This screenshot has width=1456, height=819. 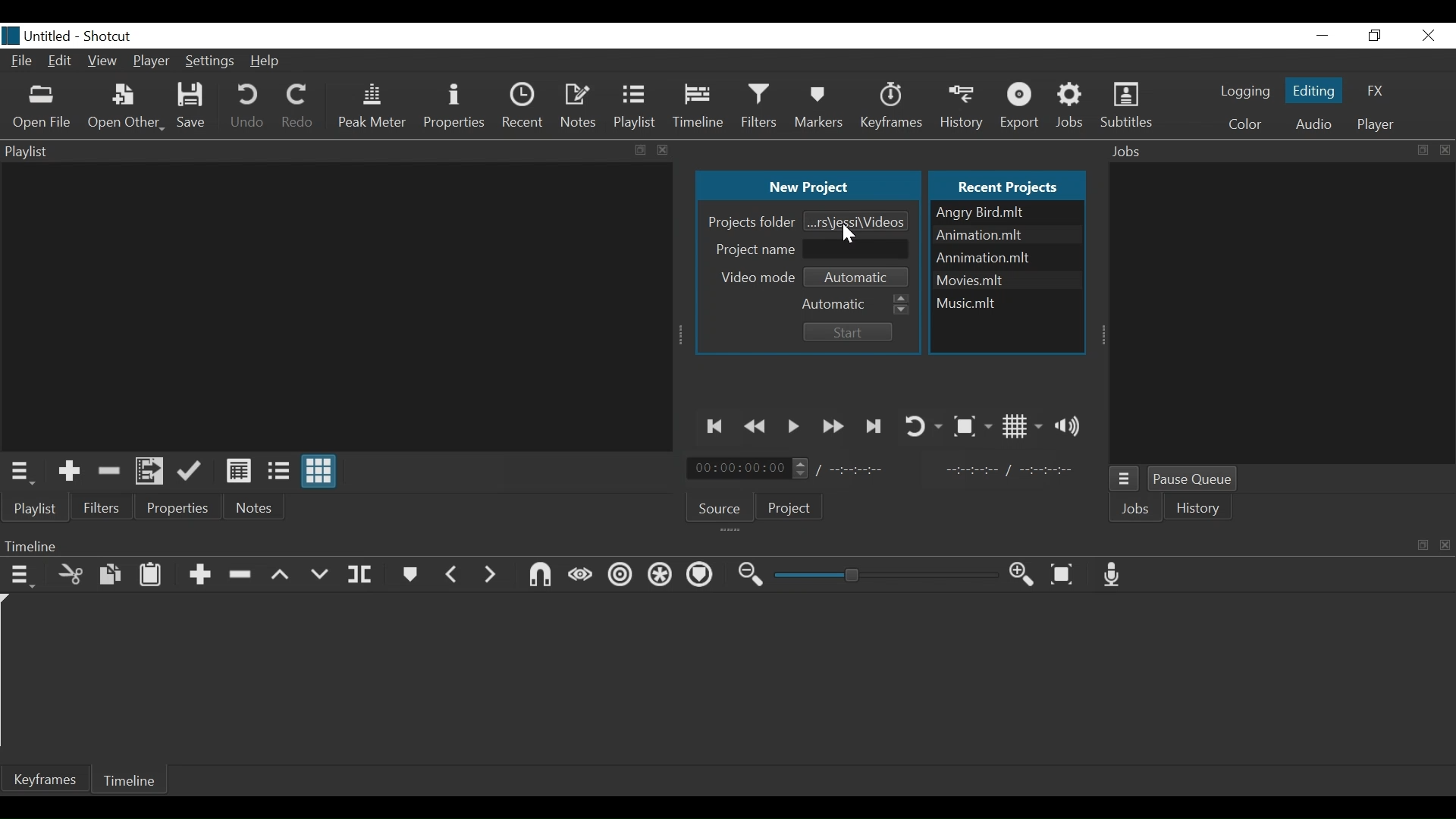 I want to click on Toggle player looping, so click(x=922, y=425).